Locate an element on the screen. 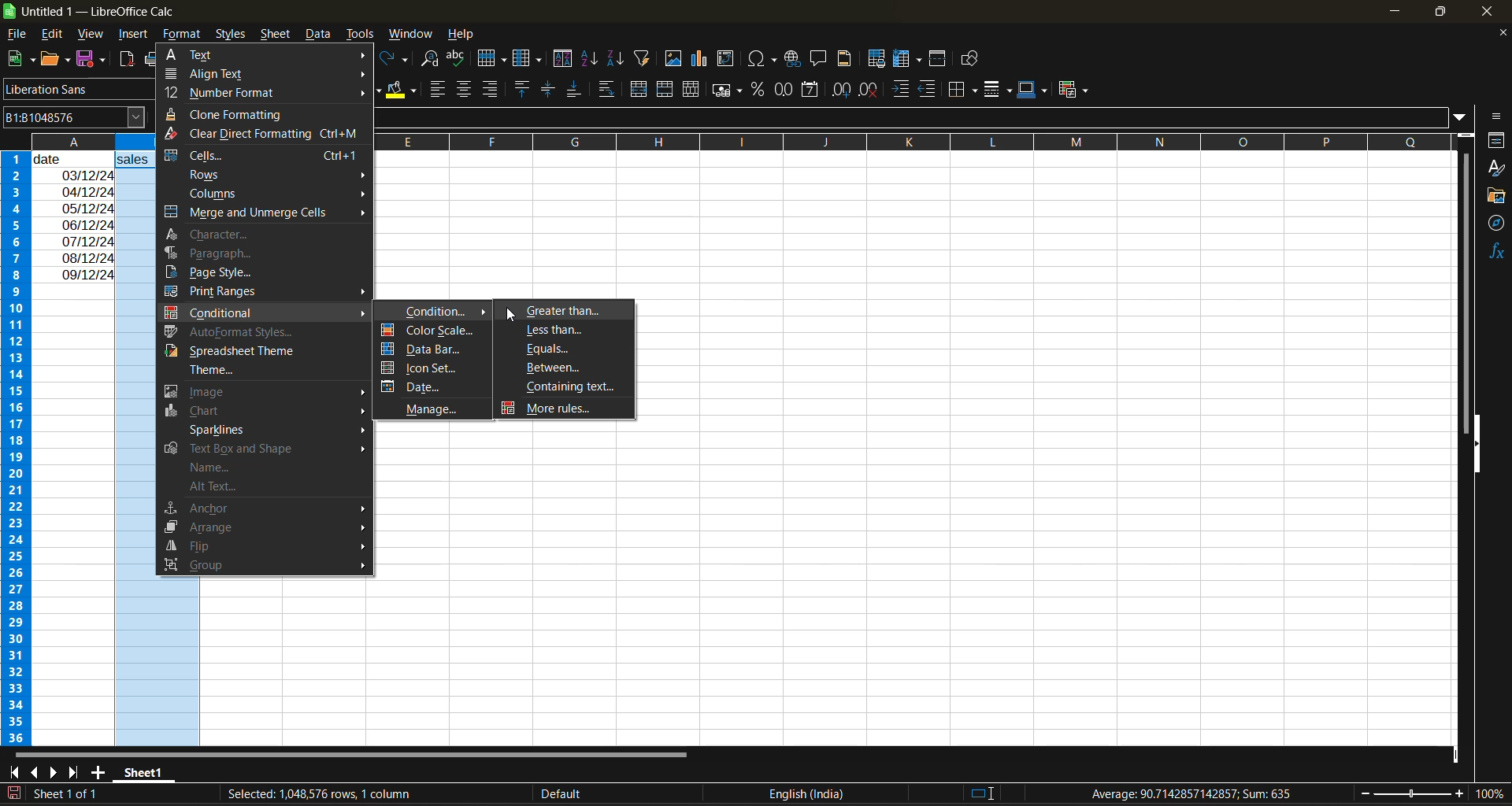 The image size is (1512, 806). borders is located at coordinates (966, 89).